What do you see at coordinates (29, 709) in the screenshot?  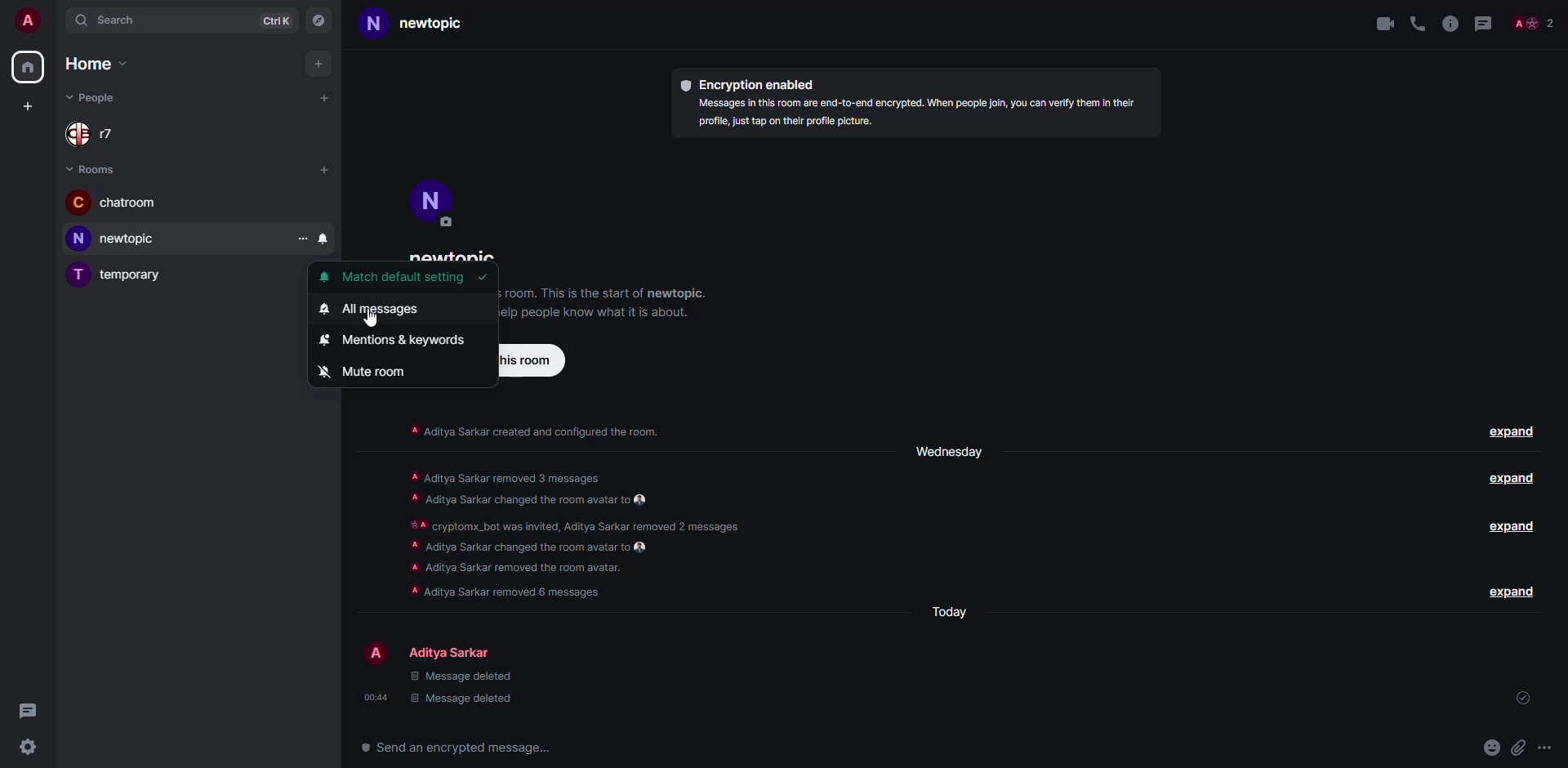 I see `threads` at bounding box center [29, 709].